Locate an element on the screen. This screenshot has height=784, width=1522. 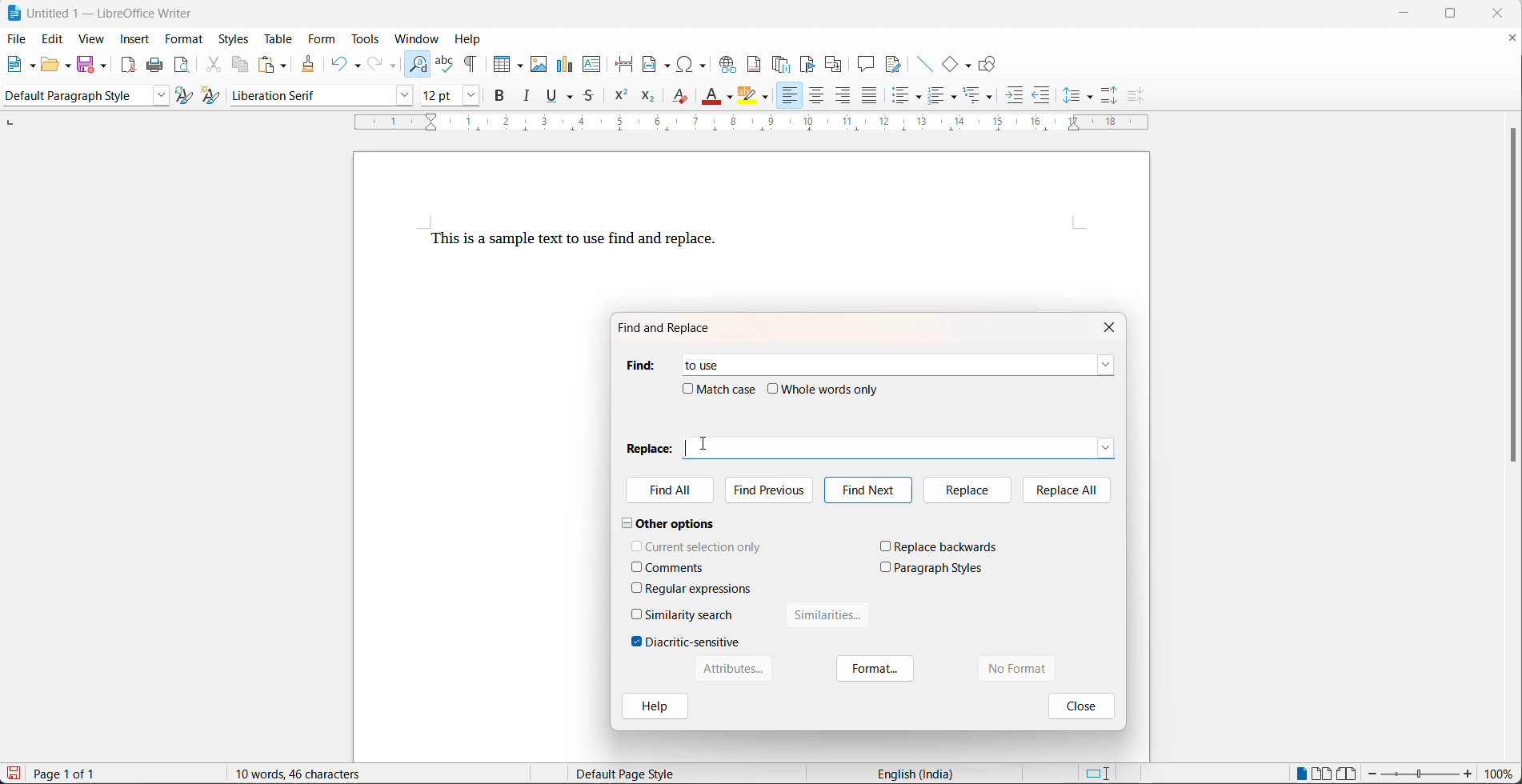
bold is located at coordinates (501, 98).